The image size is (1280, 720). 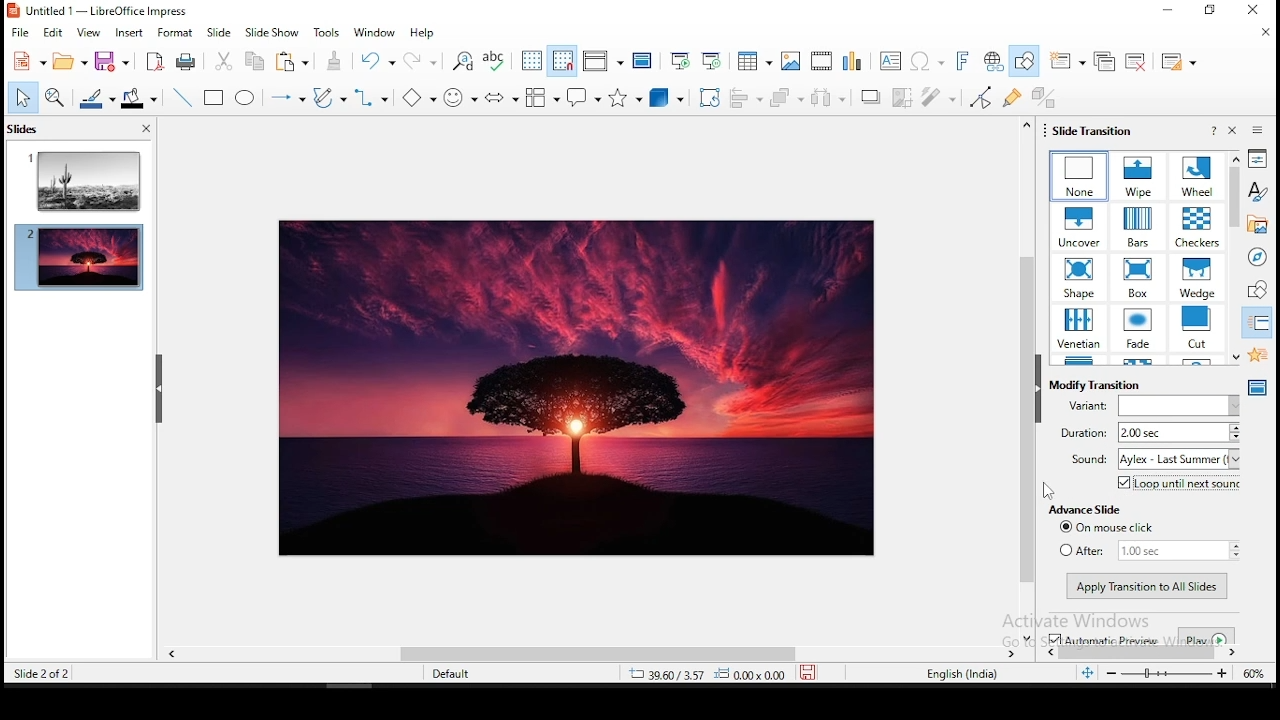 What do you see at coordinates (1149, 406) in the screenshot?
I see `variant` at bounding box center [1149, 406].